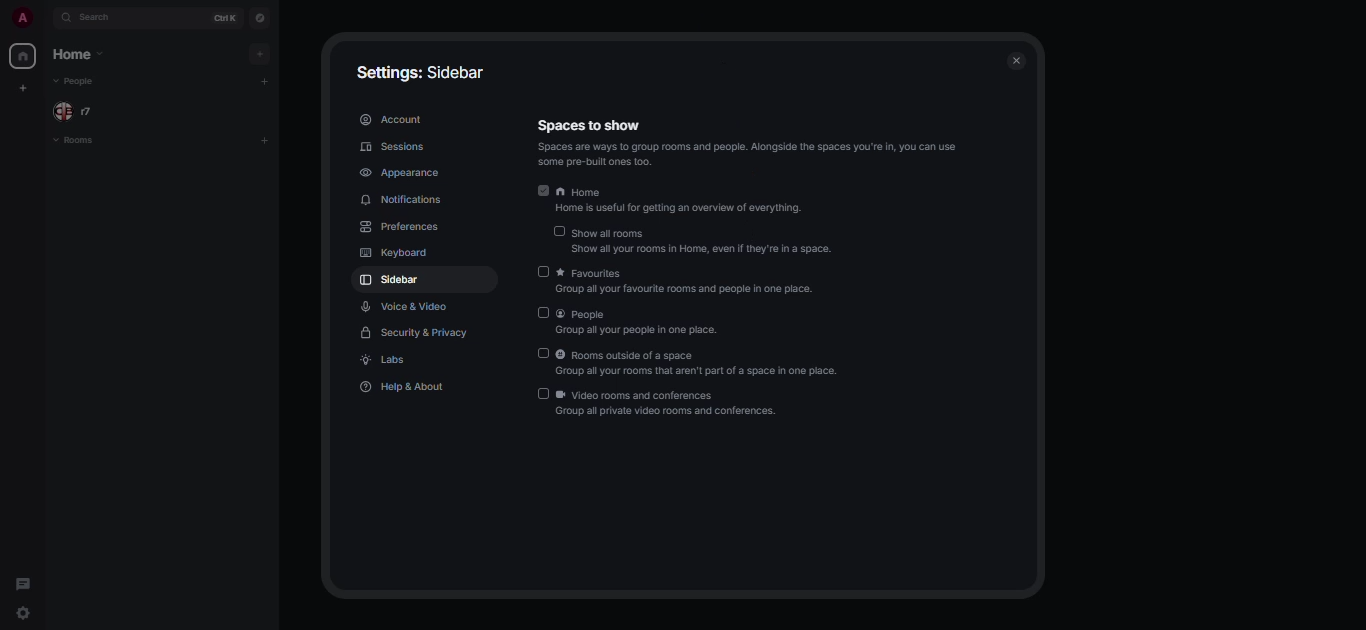 This screenshot has width=1366, height=630. What do you see at coordinates (543, 393) in the screenshot?
I see `disabled` at bounding box center [543, 393].